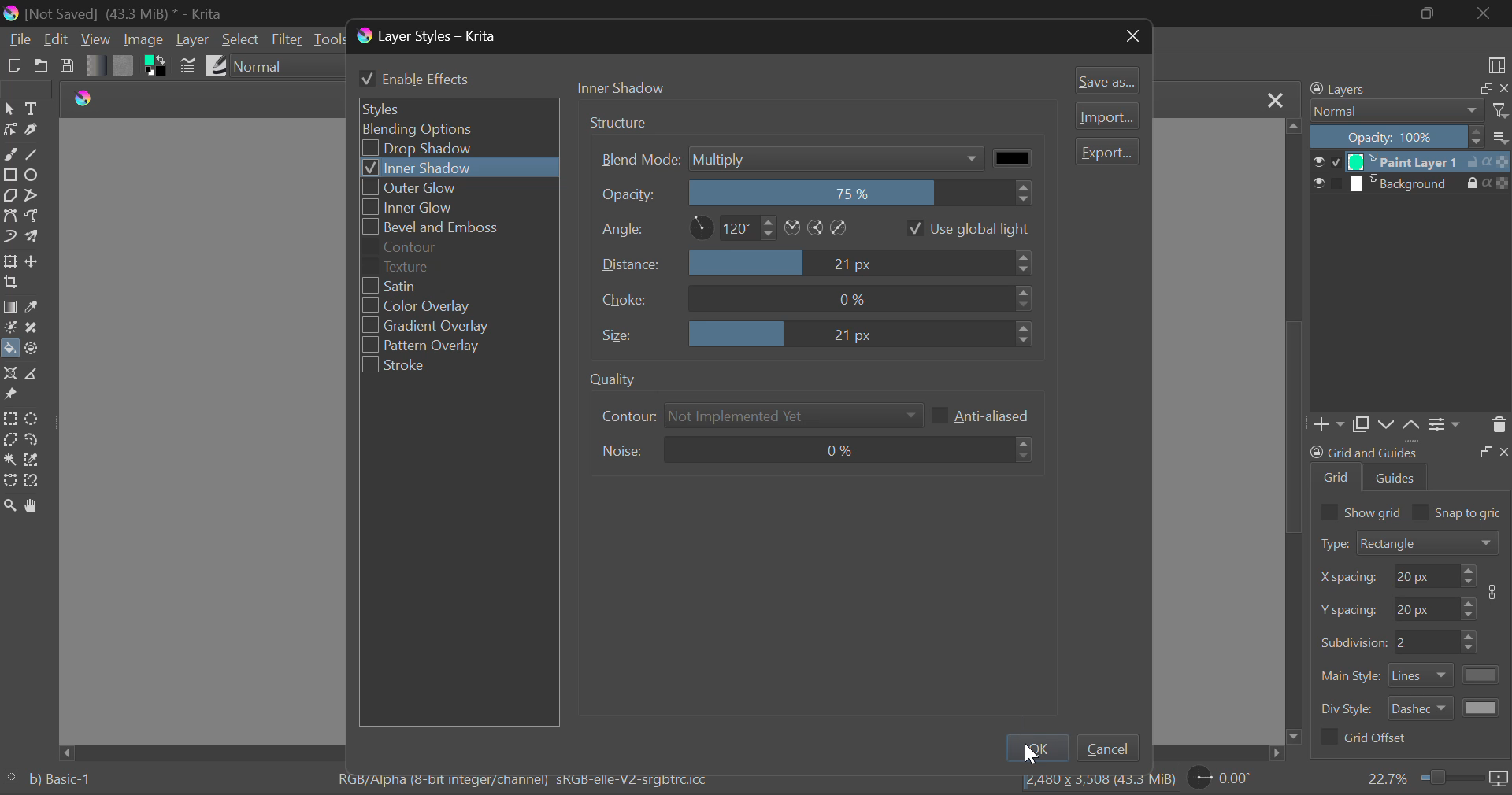  Describe the element at coordinates (241, 39) in the screenshot. I see `Select` at that location.